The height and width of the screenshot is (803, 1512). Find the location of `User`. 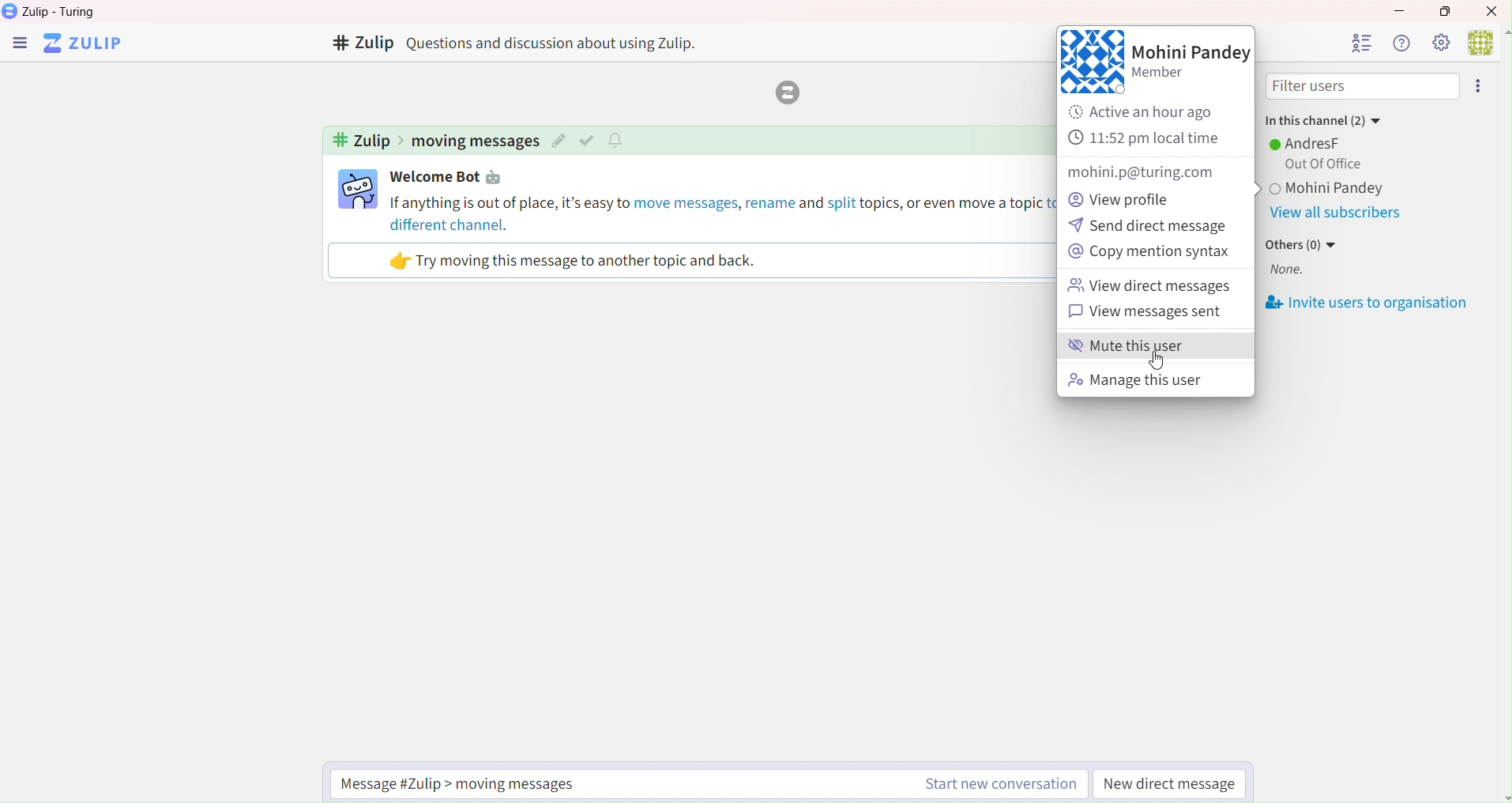

User is located at coordinates (1488, 41).